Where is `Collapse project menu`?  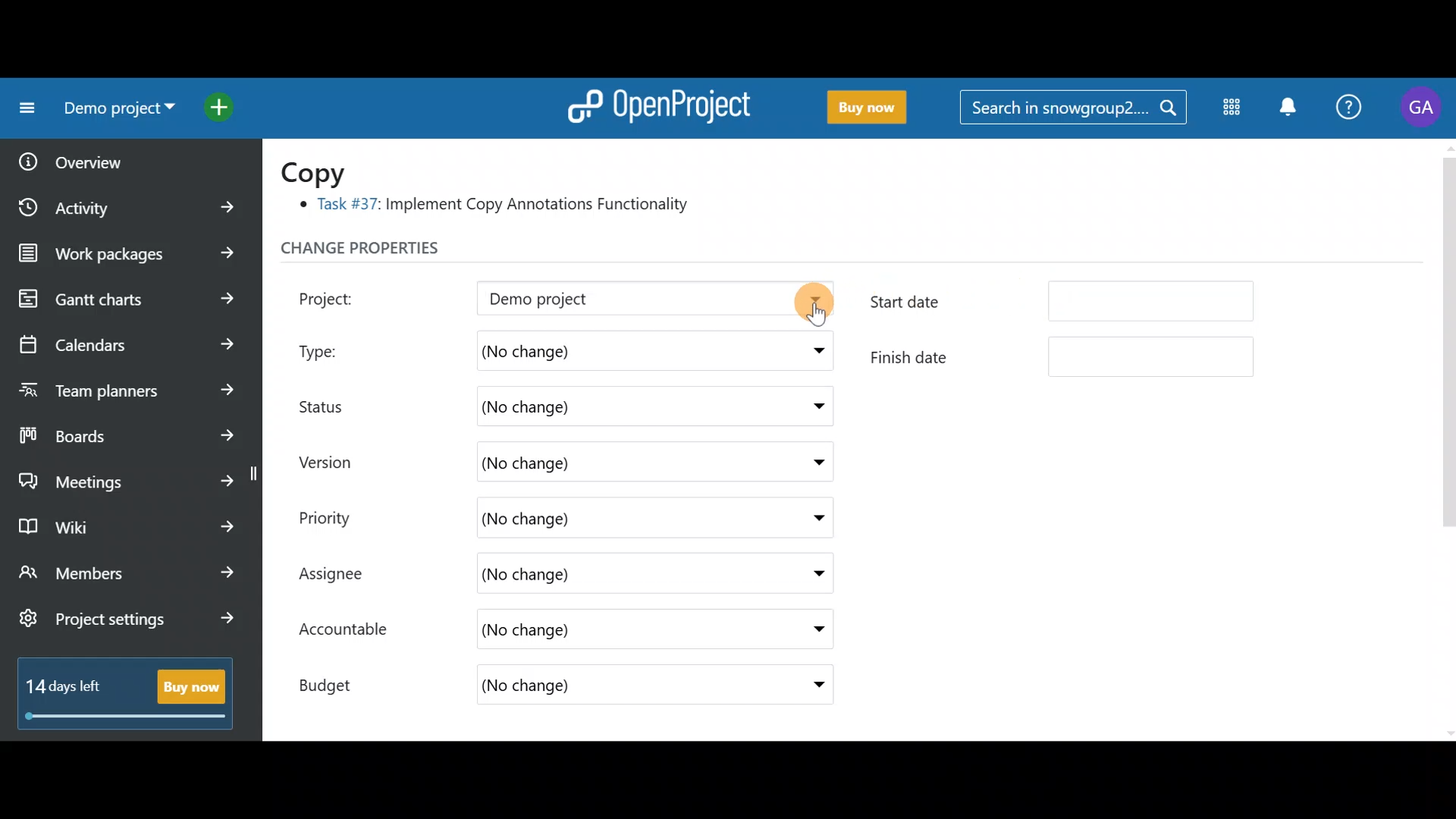 Collapse project menu is located at coordinates (24, 108).